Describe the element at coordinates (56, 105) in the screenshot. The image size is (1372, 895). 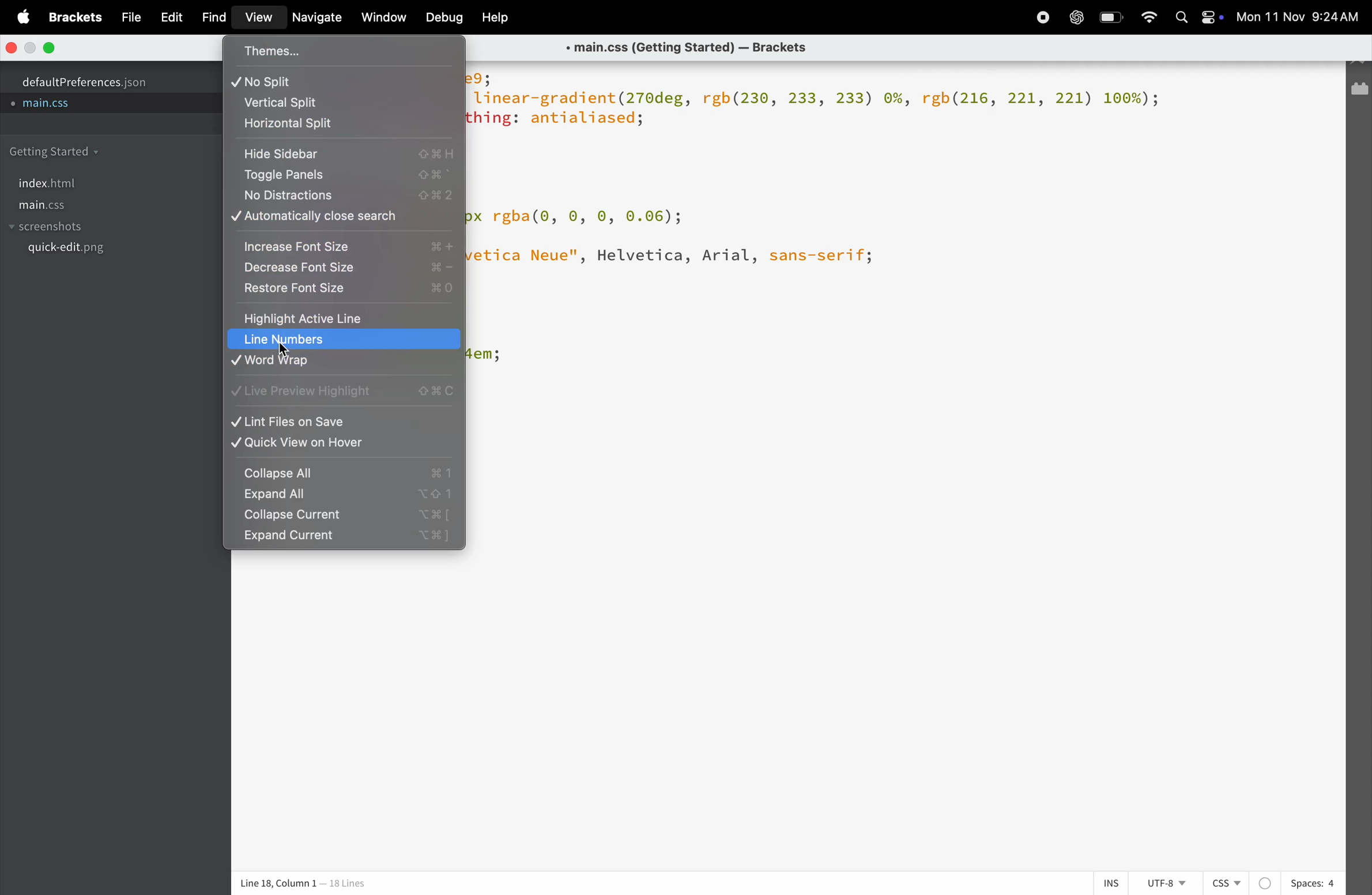
I see `main.css` at that location.